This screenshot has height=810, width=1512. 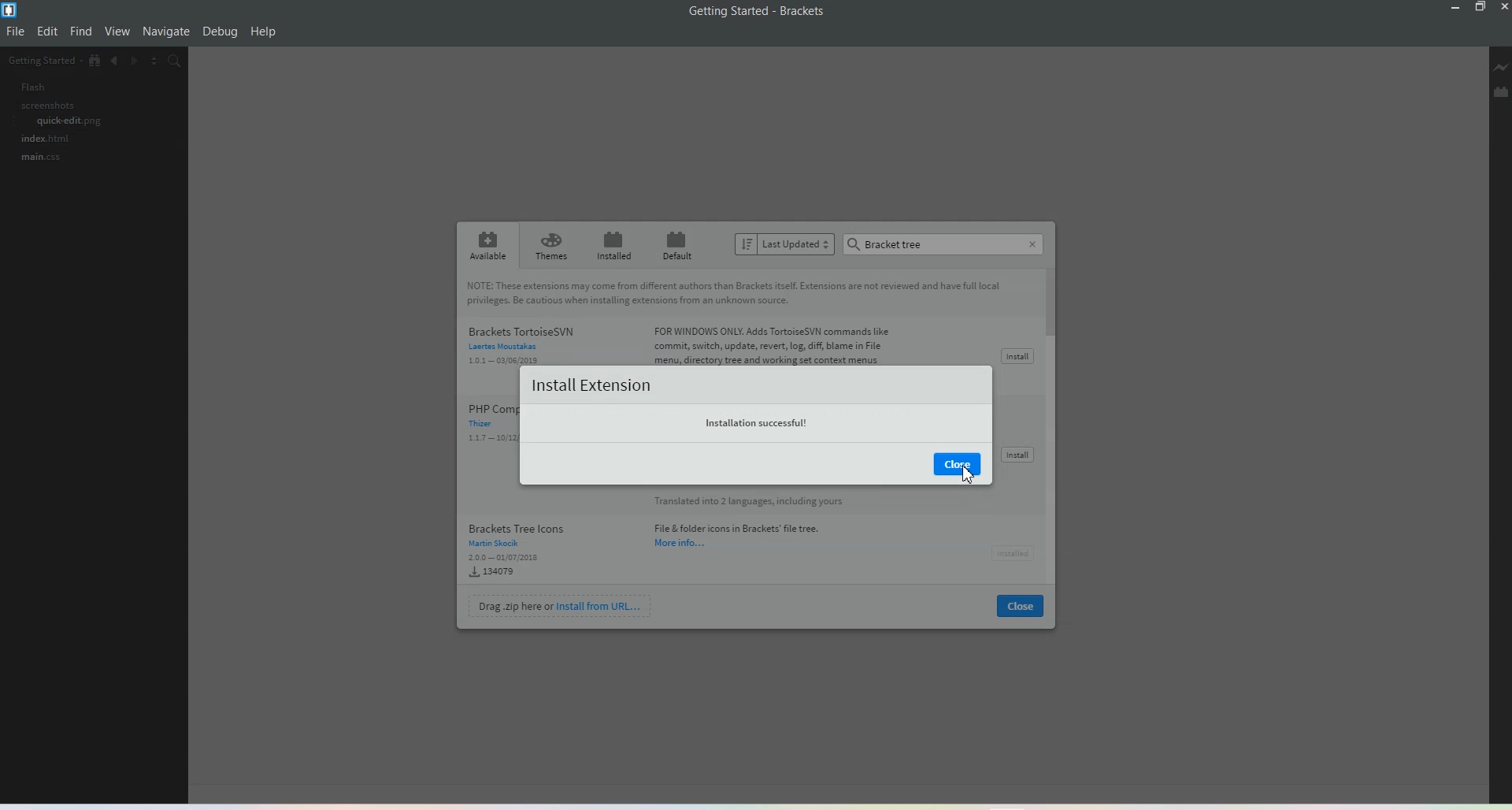 What do you see at coordinates (552, 246) in the screenshot?
I see `Theme` at bounding box center [552, 246].